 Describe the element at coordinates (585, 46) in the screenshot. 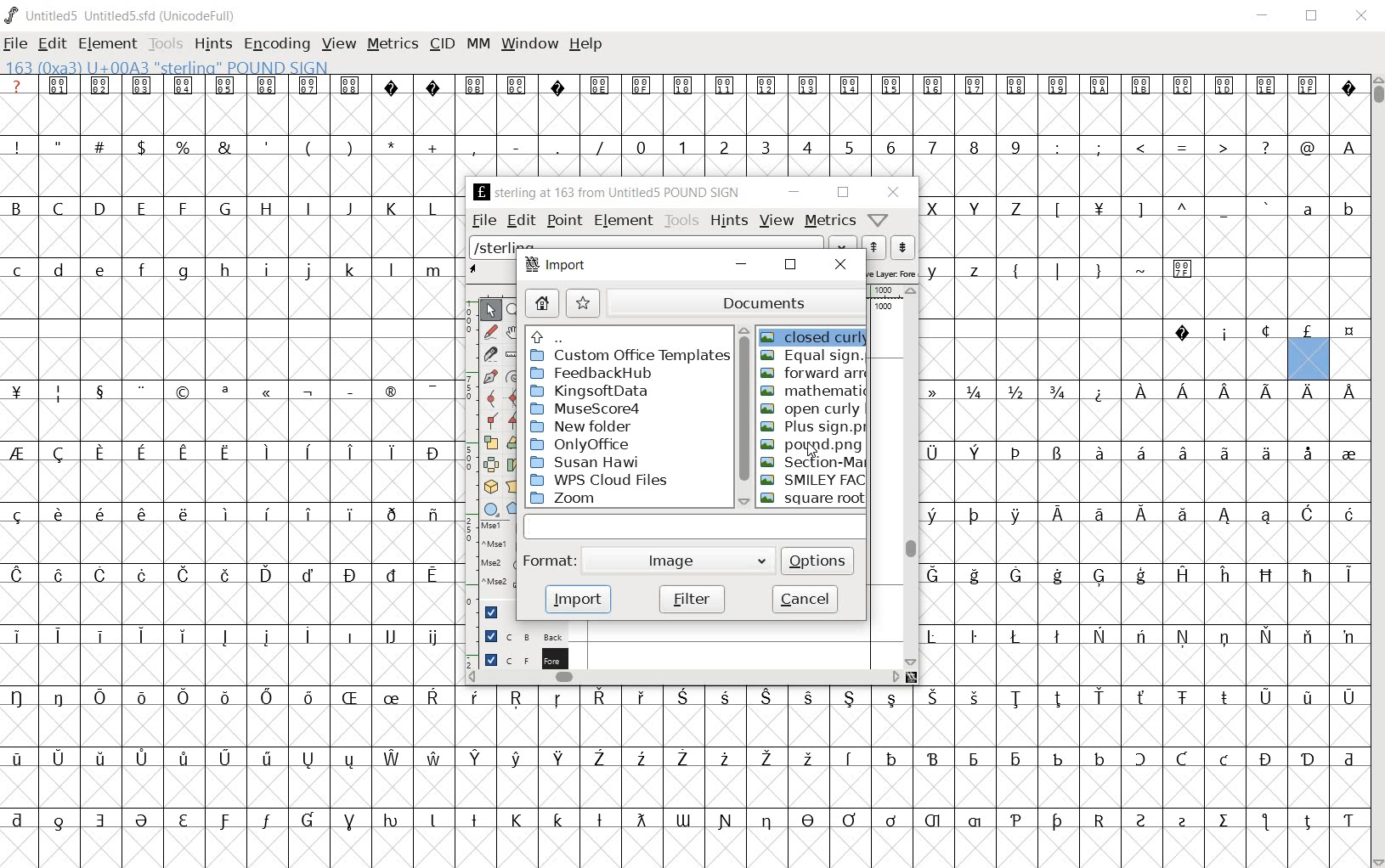

I see `HELP` at that location.